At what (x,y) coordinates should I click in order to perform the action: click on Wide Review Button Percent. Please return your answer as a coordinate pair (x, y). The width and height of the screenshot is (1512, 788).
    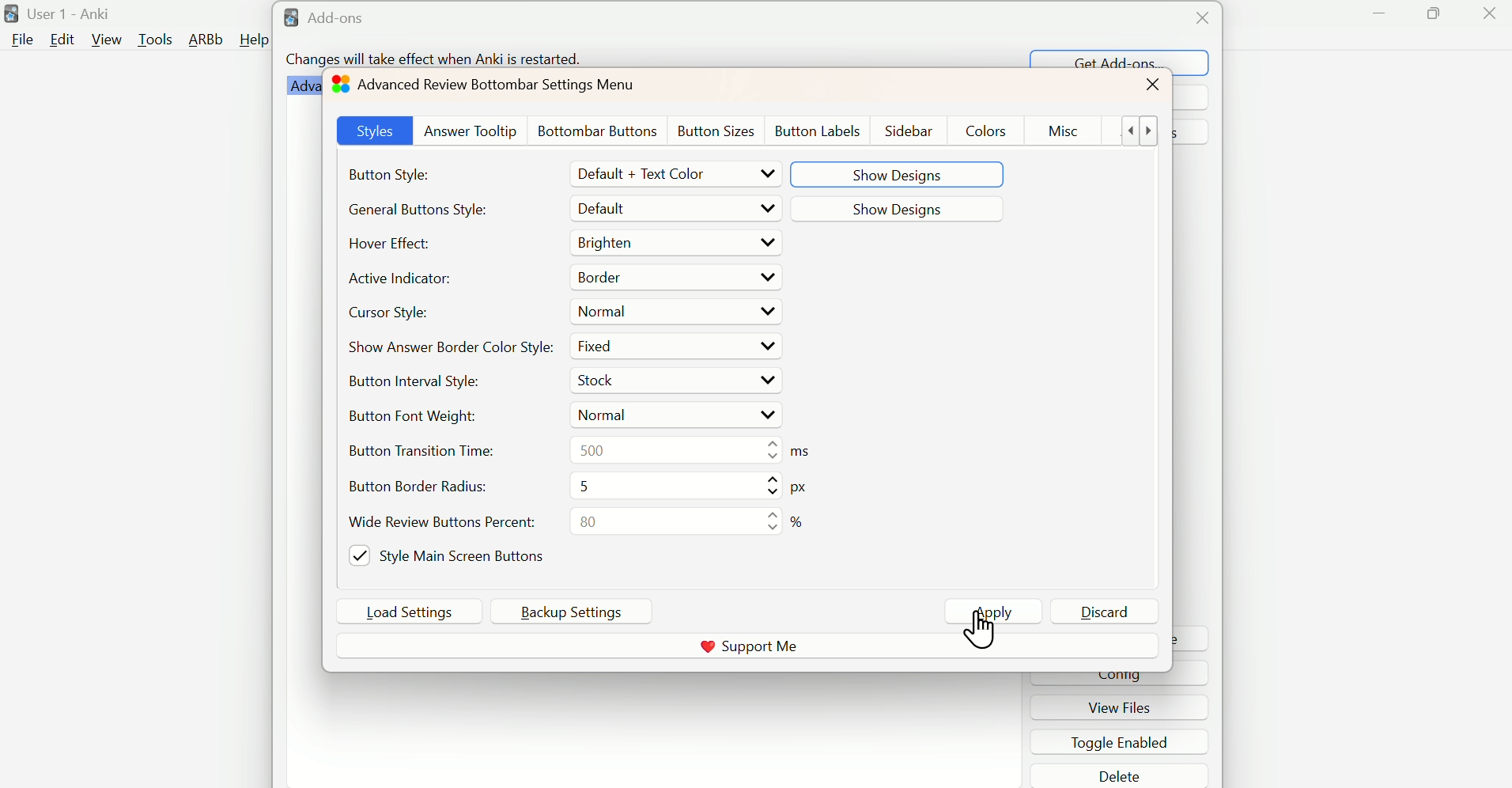
    Looking at the image, I should click on (442, 521).